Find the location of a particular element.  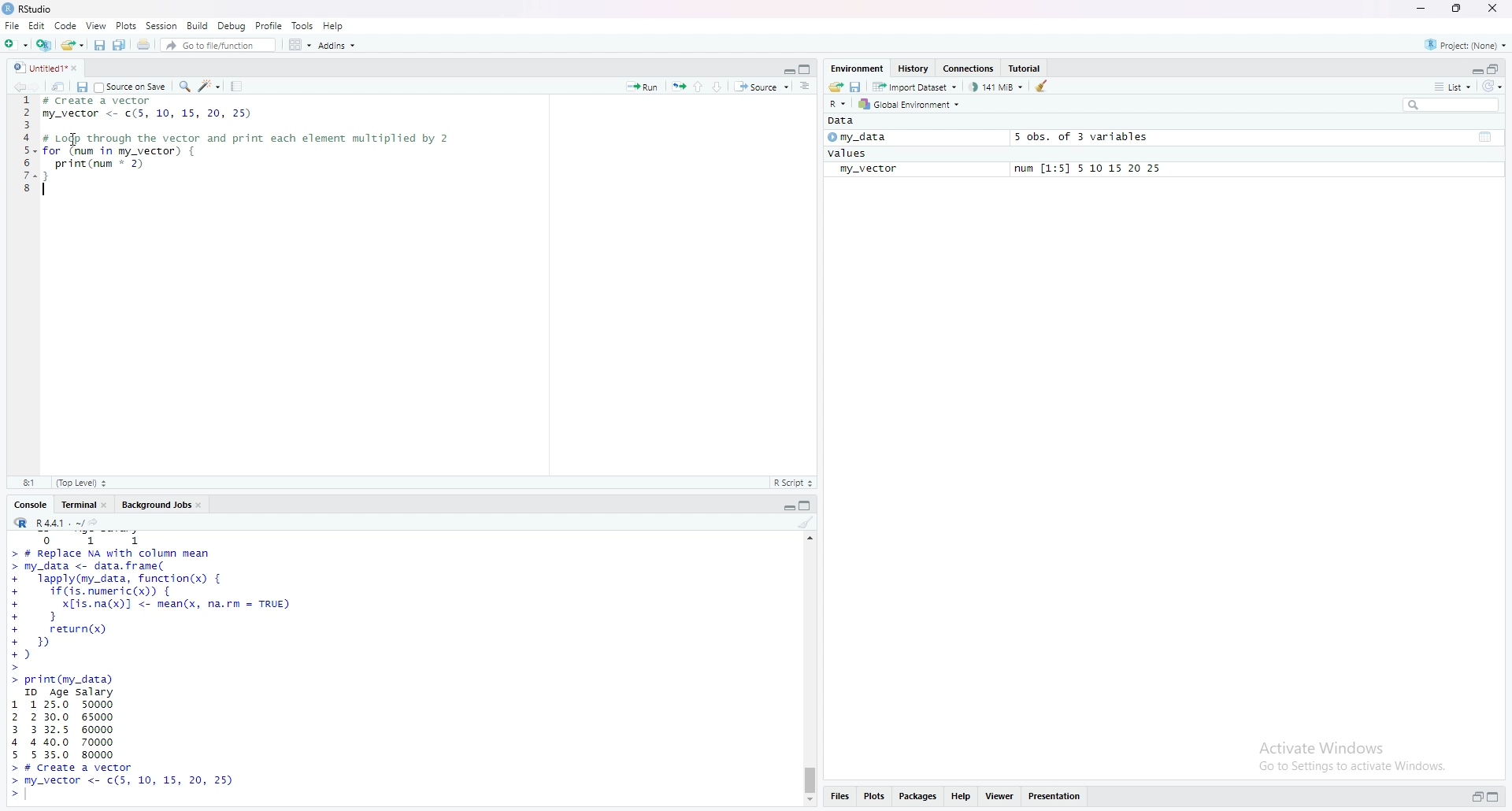

4:1 is located at coordinates (28, 483).